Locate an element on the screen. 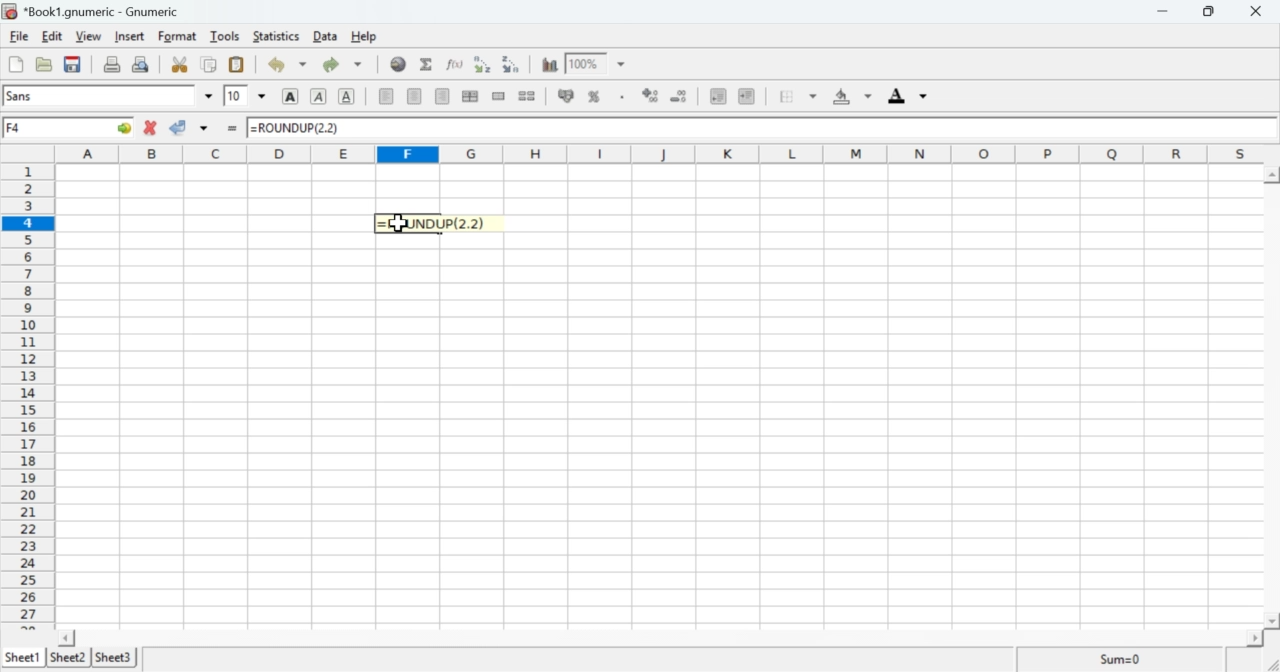 This screenshot has width=1280, height=672. Font Size is located at coordinates (234, 96).